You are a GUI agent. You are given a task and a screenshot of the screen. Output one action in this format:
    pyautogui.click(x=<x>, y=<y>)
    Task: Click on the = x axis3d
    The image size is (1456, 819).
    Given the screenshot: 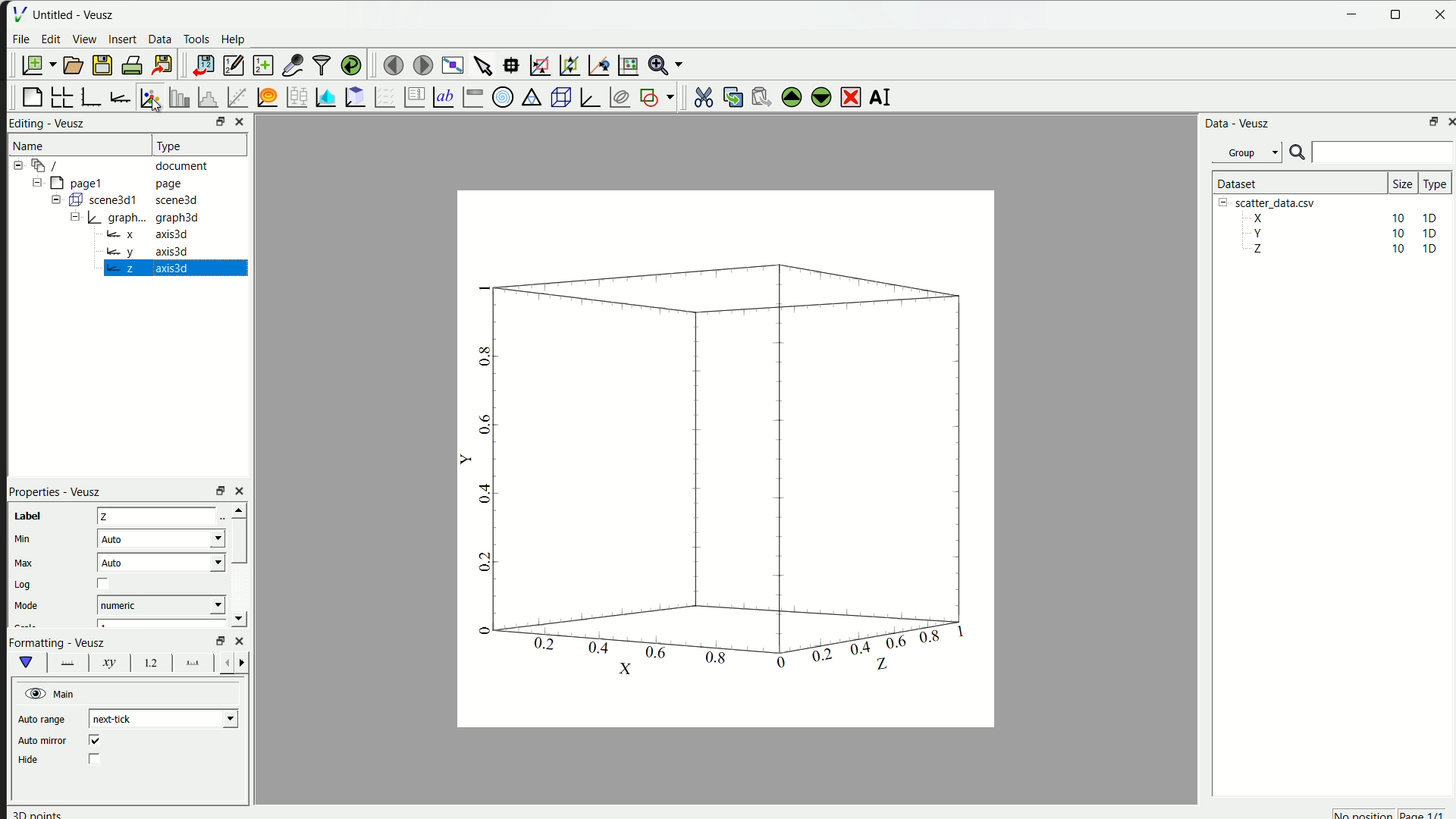 What is the action you would take?
    pyautogui.click(x=155, y=234)
    